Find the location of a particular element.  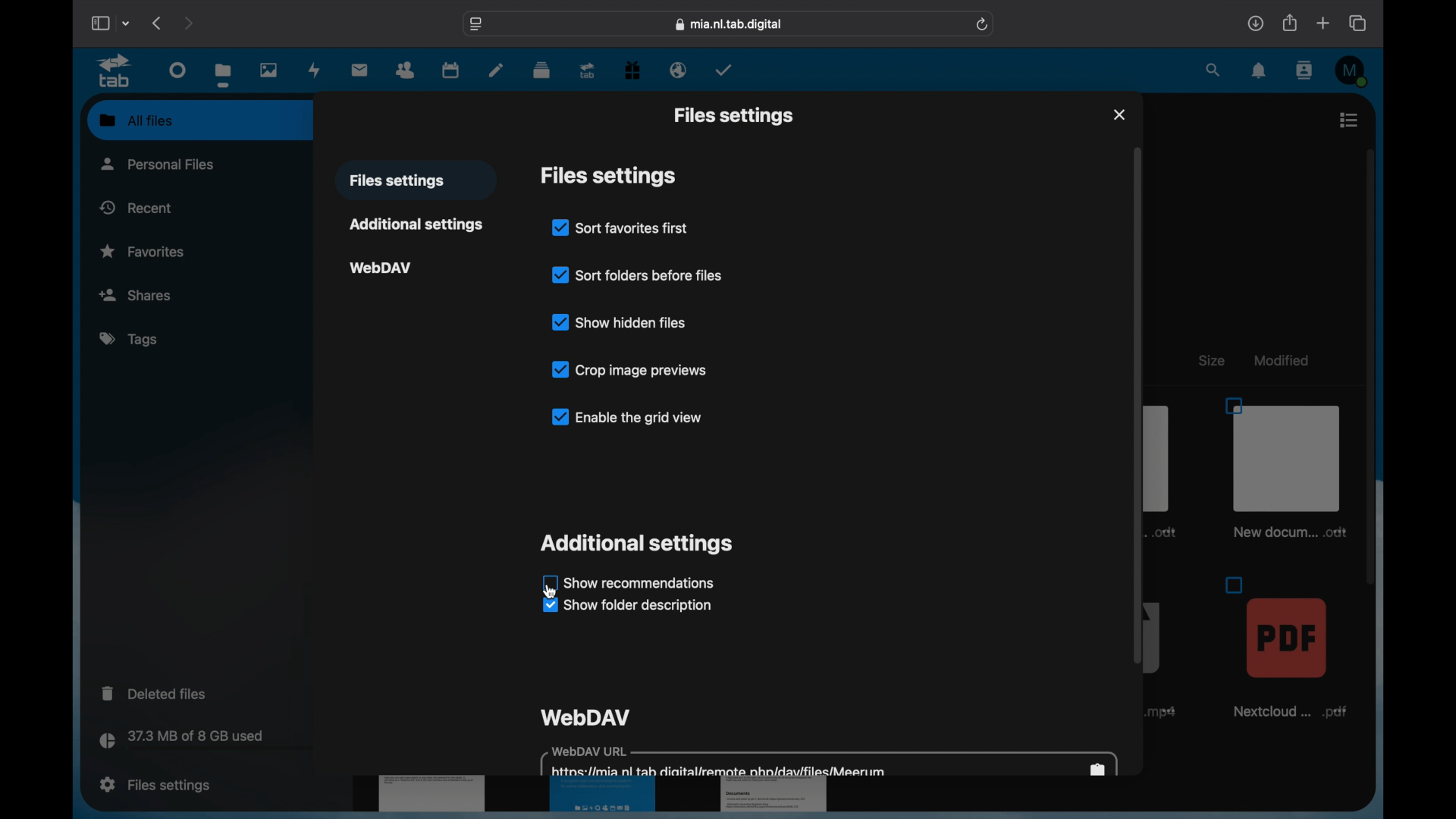

recent is located at coordinates (137, 207).